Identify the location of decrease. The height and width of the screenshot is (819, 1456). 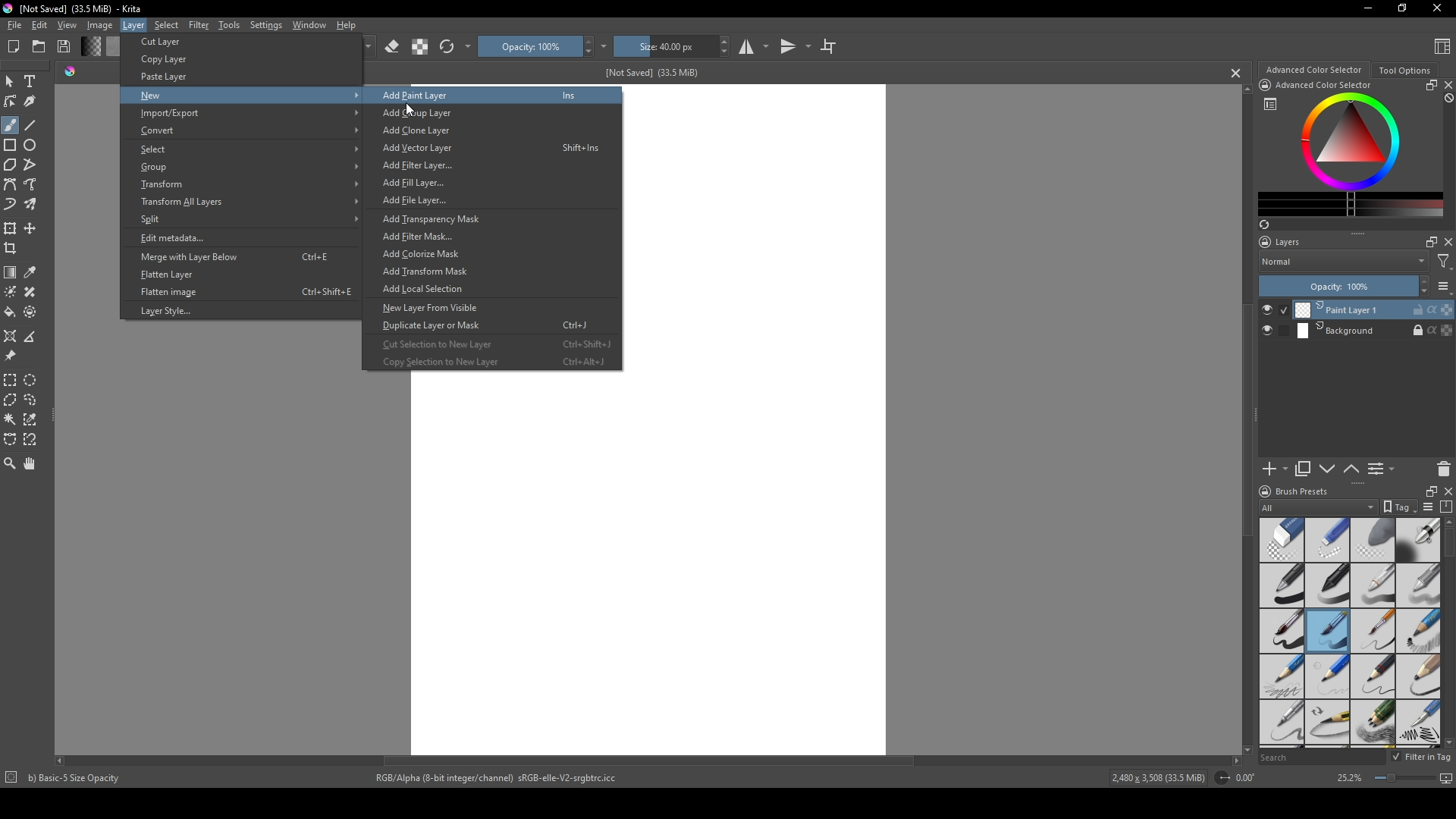
(1423, 293).